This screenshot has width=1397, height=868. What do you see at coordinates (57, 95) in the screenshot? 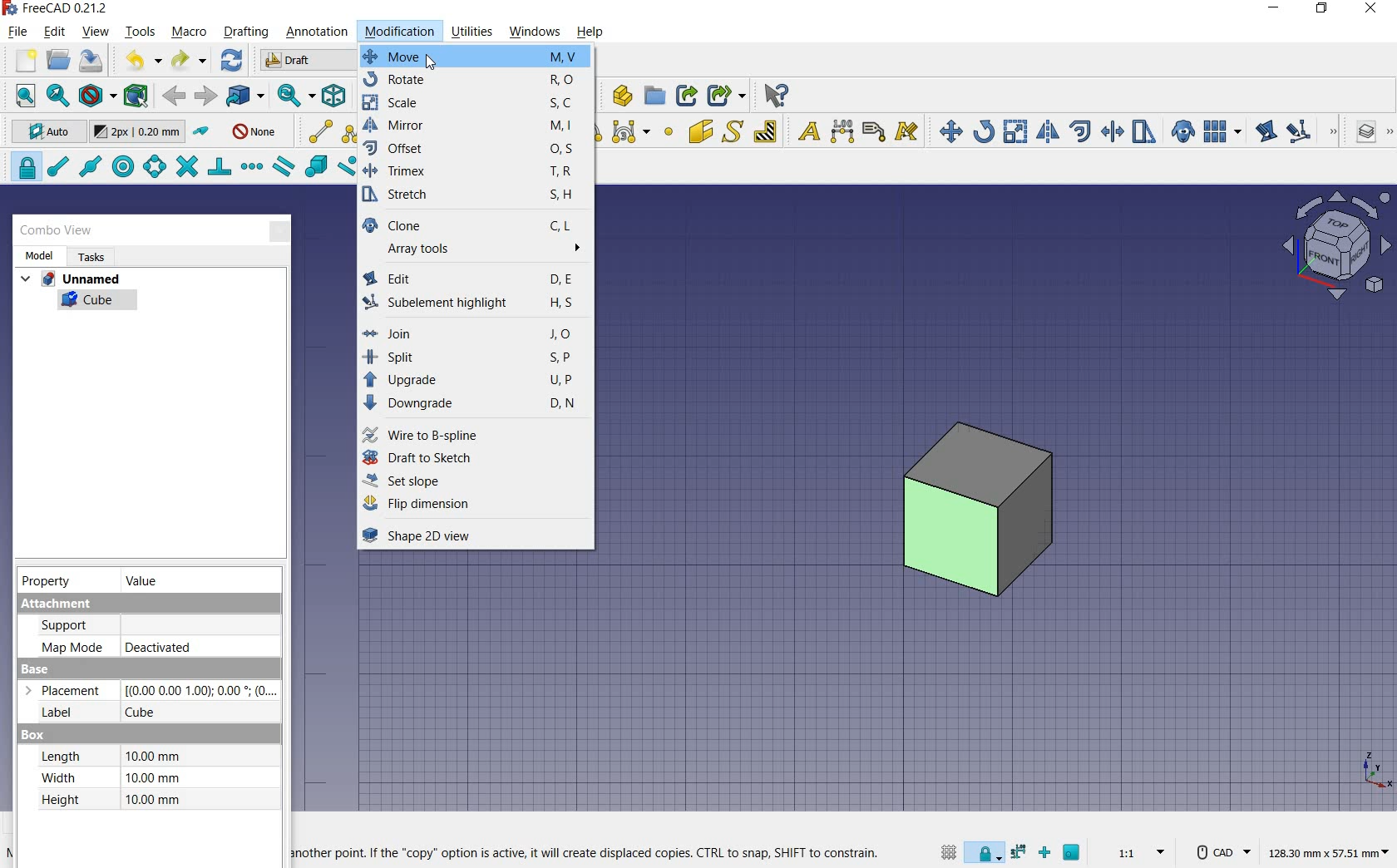
I see `fit selection` at bounding box center [57, 95].